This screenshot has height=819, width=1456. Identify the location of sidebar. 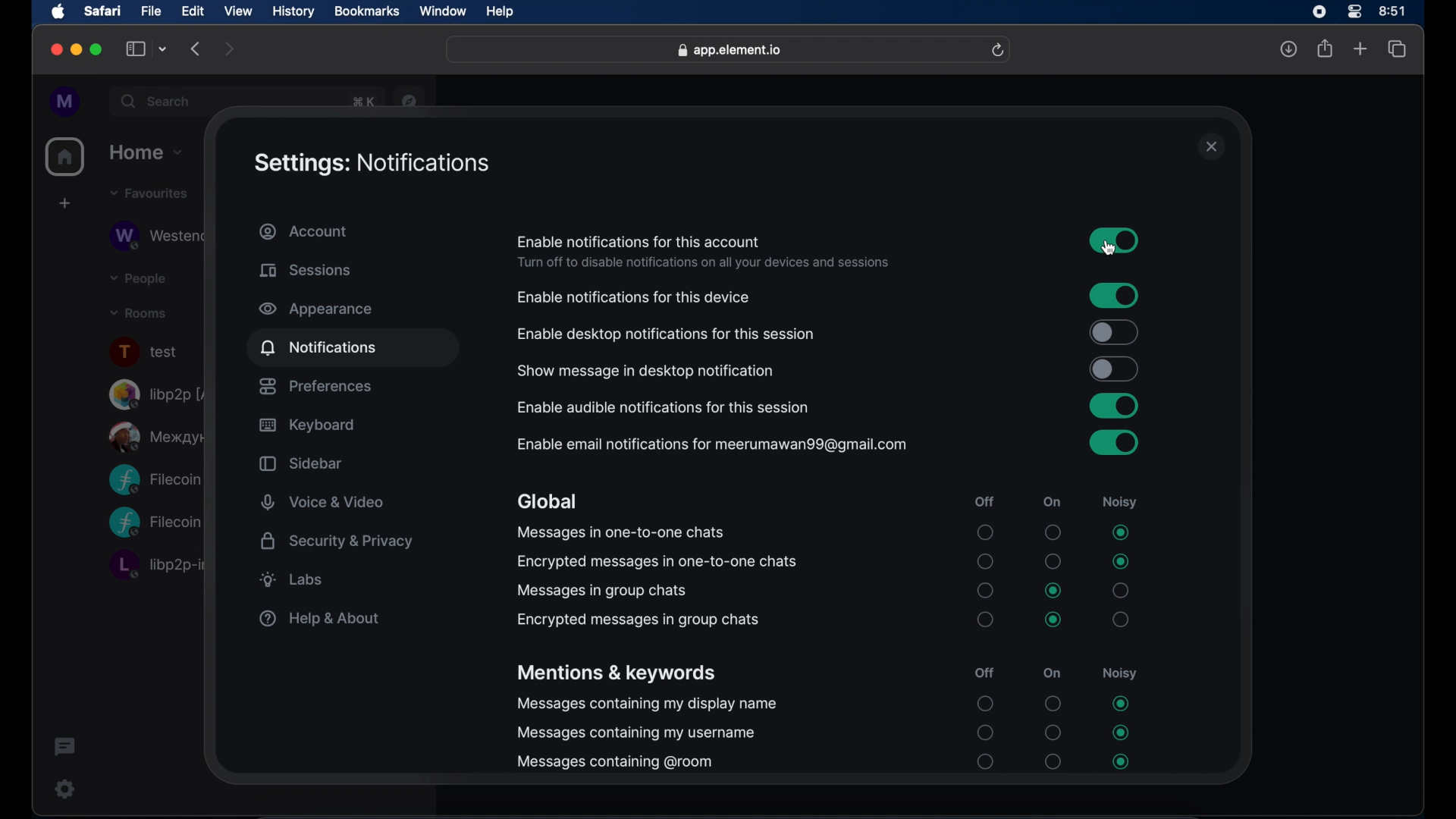
(354, 464).